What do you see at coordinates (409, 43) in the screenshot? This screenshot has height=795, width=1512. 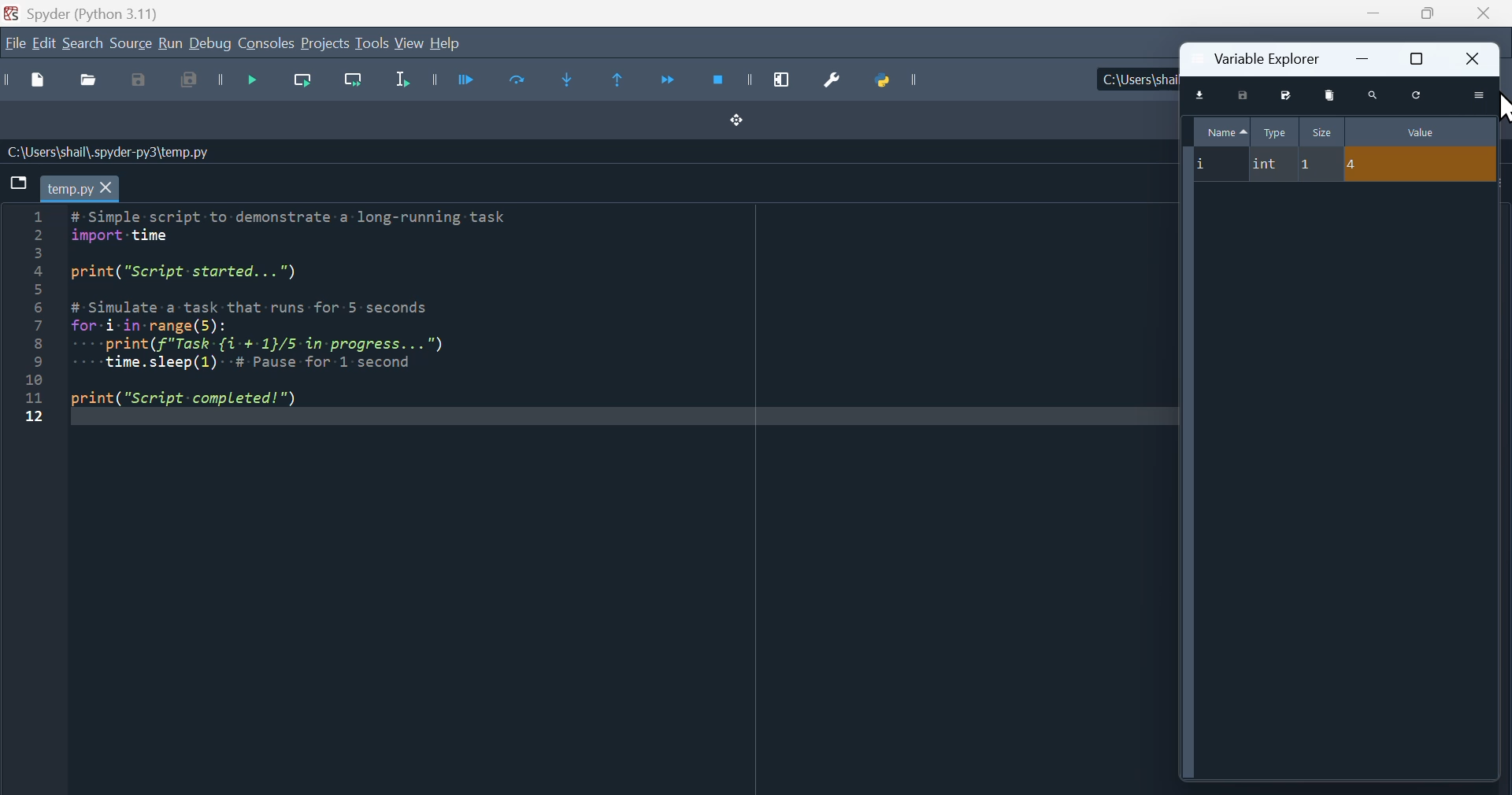 I see `view` at bounding box center [409, 43].